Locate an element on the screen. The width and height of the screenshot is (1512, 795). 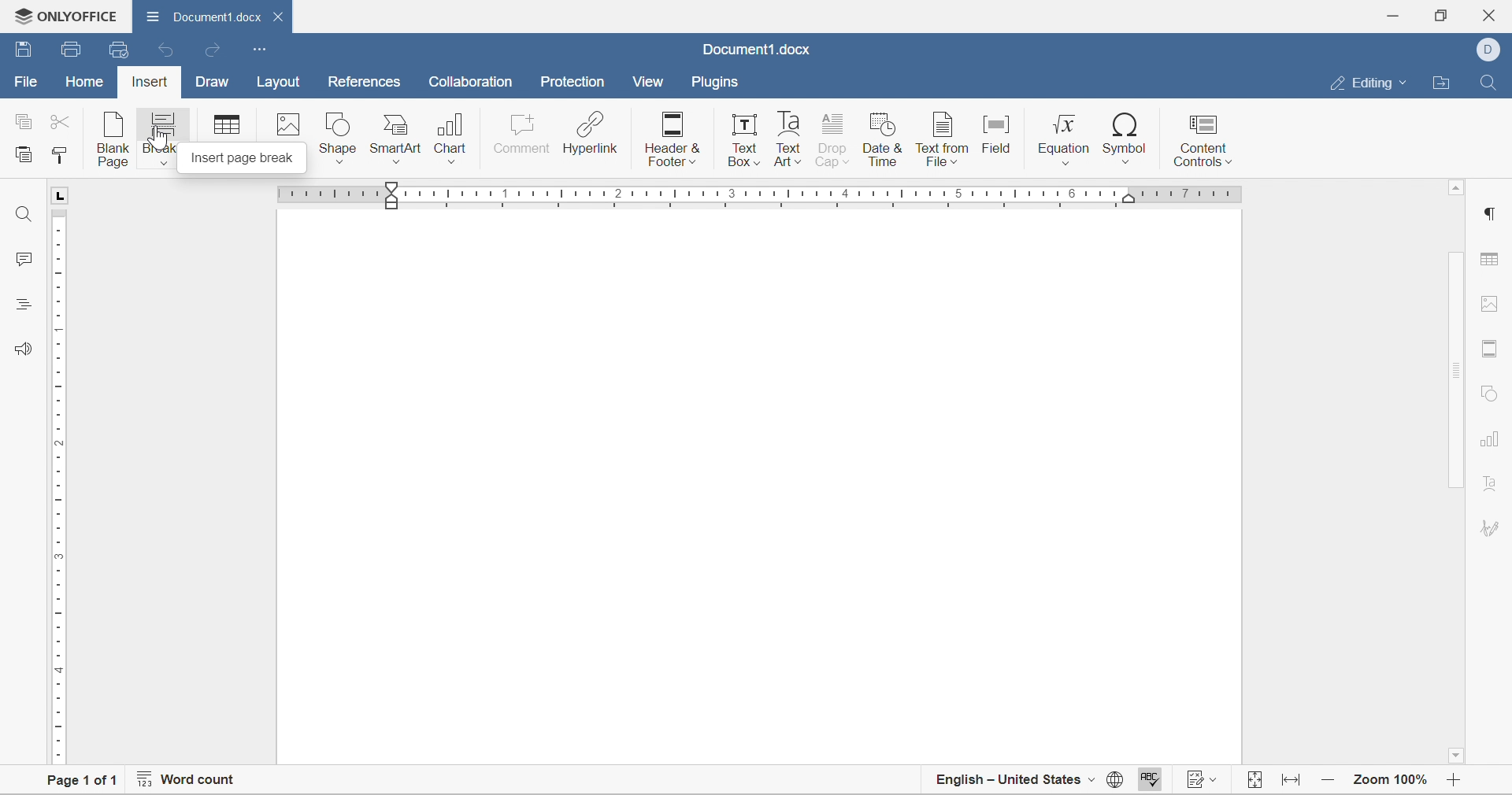
Insert image is located at coordinates (291, 125).